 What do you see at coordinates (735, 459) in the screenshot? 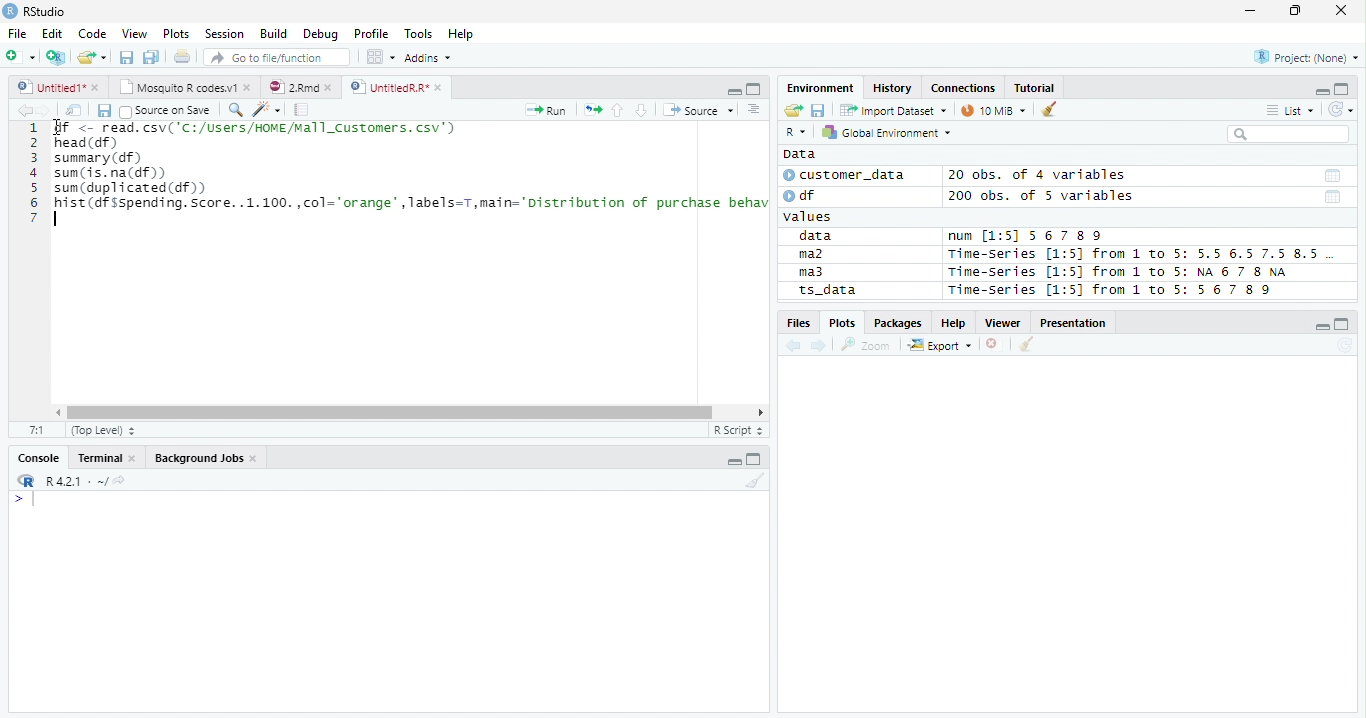
I see `Minimize` at bounding box center [735, 459].